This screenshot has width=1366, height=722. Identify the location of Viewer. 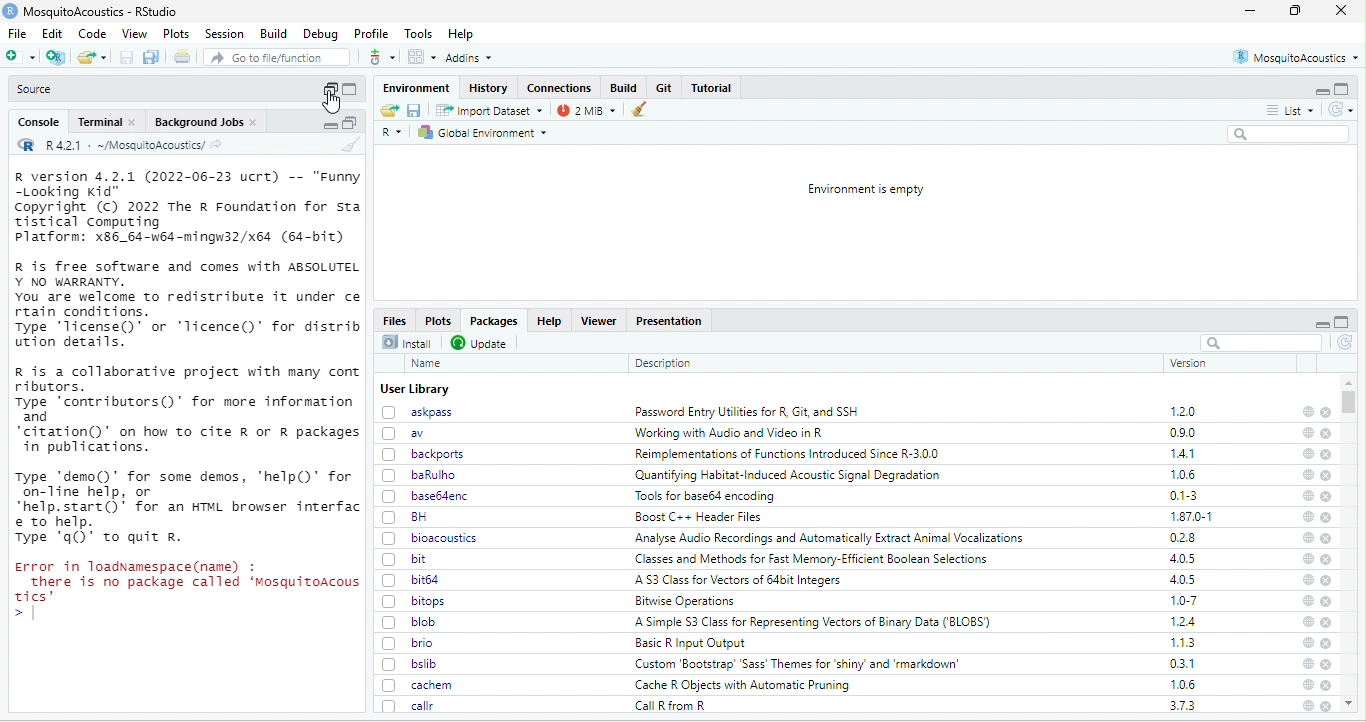
(600, 321).